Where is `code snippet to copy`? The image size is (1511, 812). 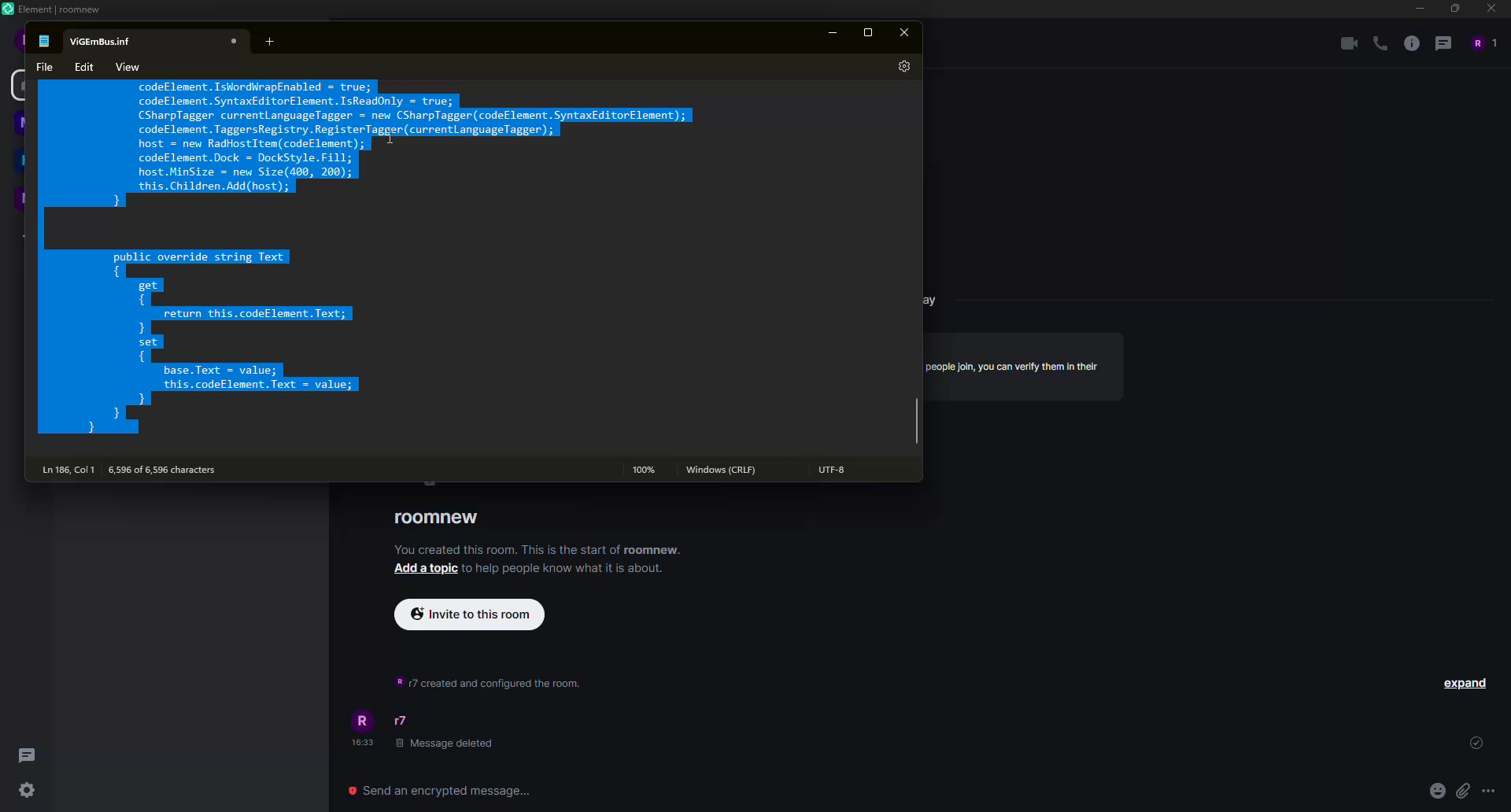 code snippet to copy is located at coordinates (366, 260).